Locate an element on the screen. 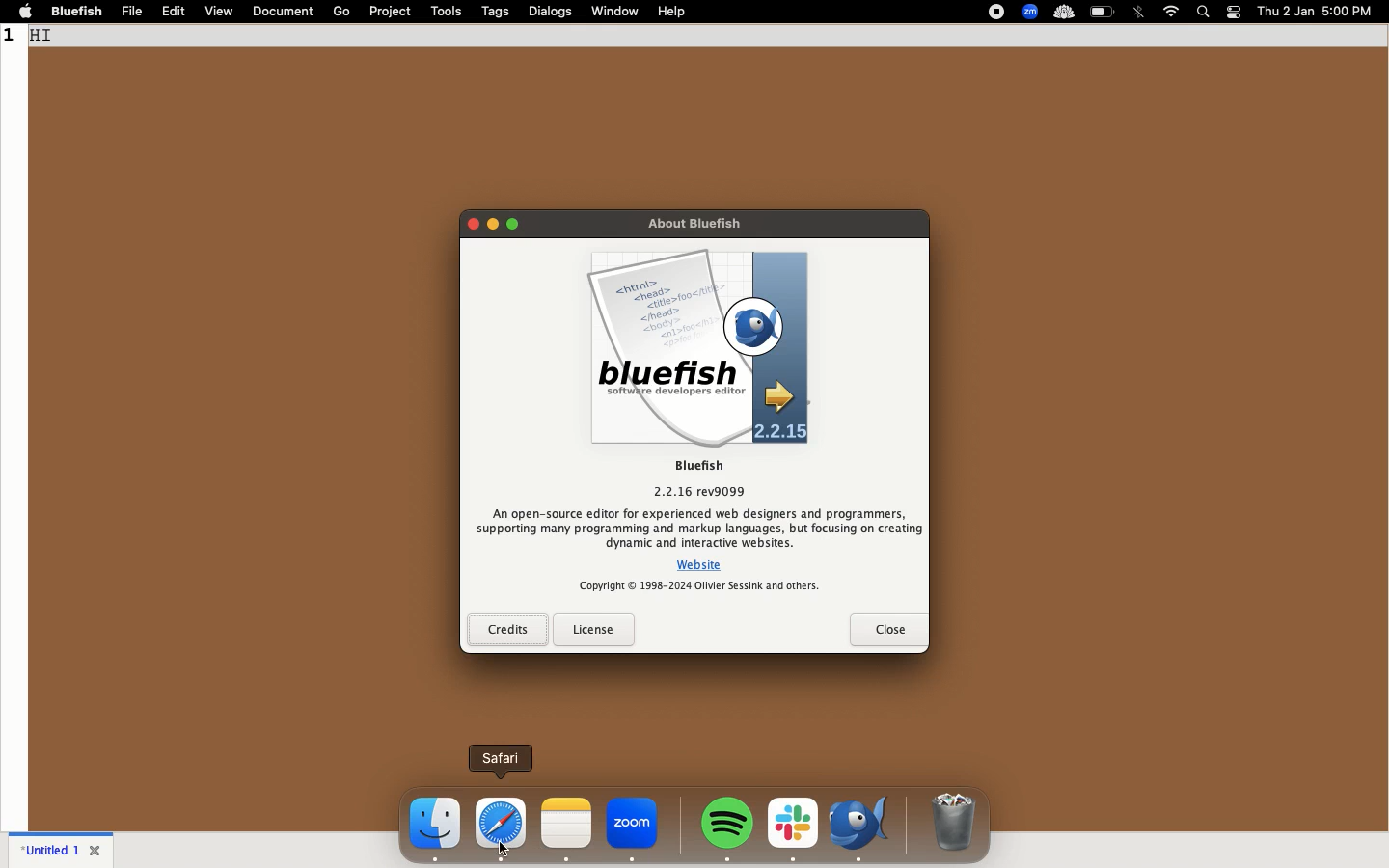  bluefish is located at coordinates (73, 12).